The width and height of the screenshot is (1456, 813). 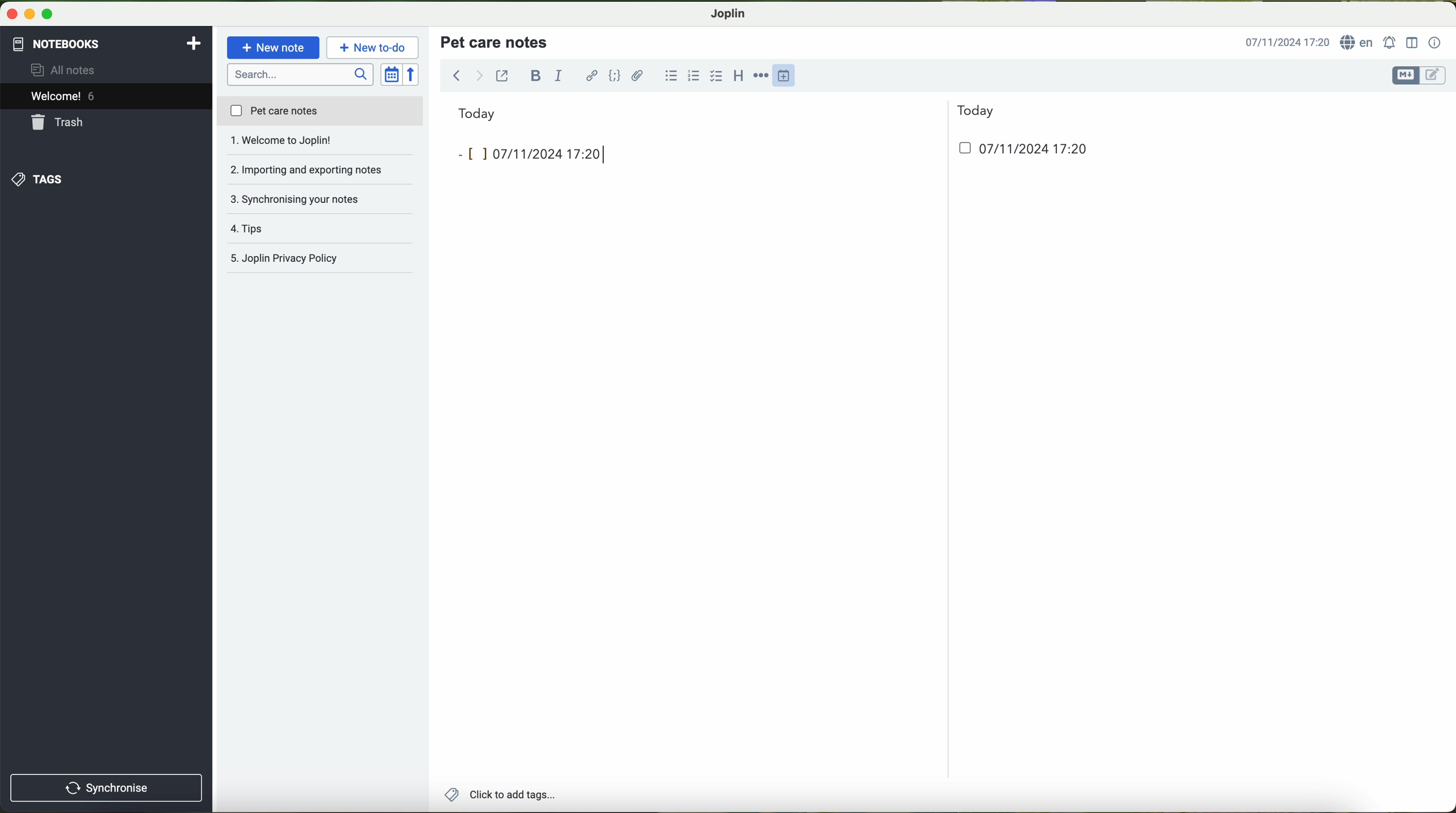 I want to click on bold, so click(x=536, y=75).